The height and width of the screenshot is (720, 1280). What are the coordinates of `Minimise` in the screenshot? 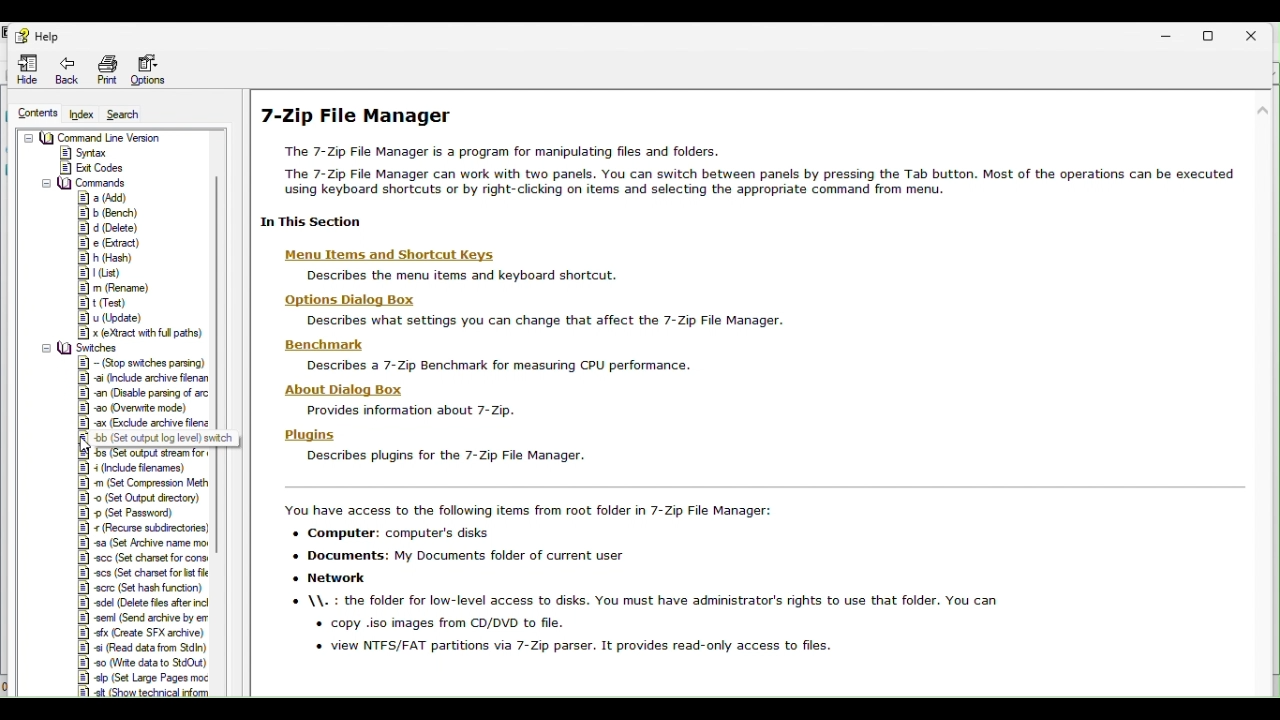 It's located at (1173, 35).